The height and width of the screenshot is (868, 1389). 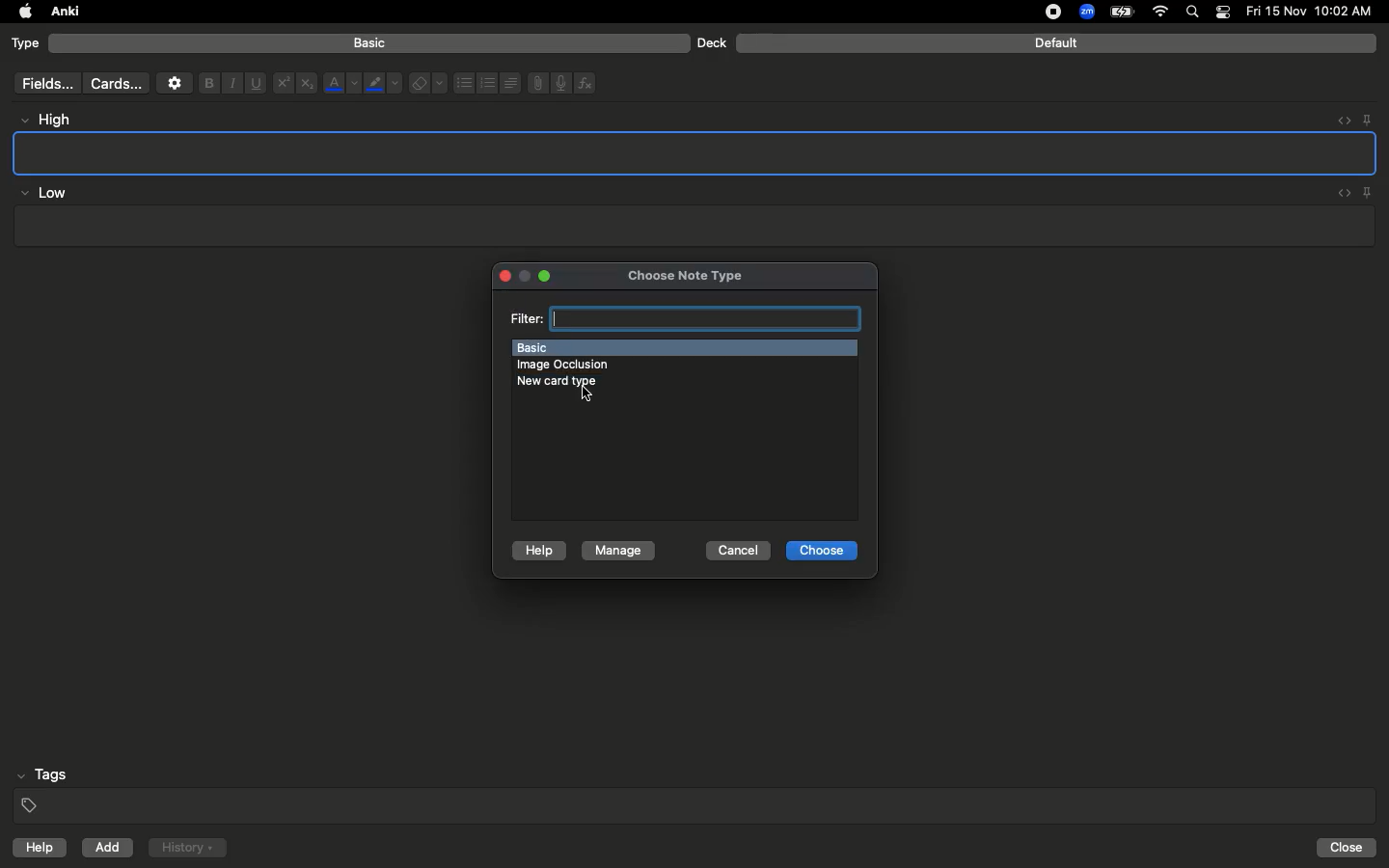 I want to click on Type, so click(x=26, y=44).